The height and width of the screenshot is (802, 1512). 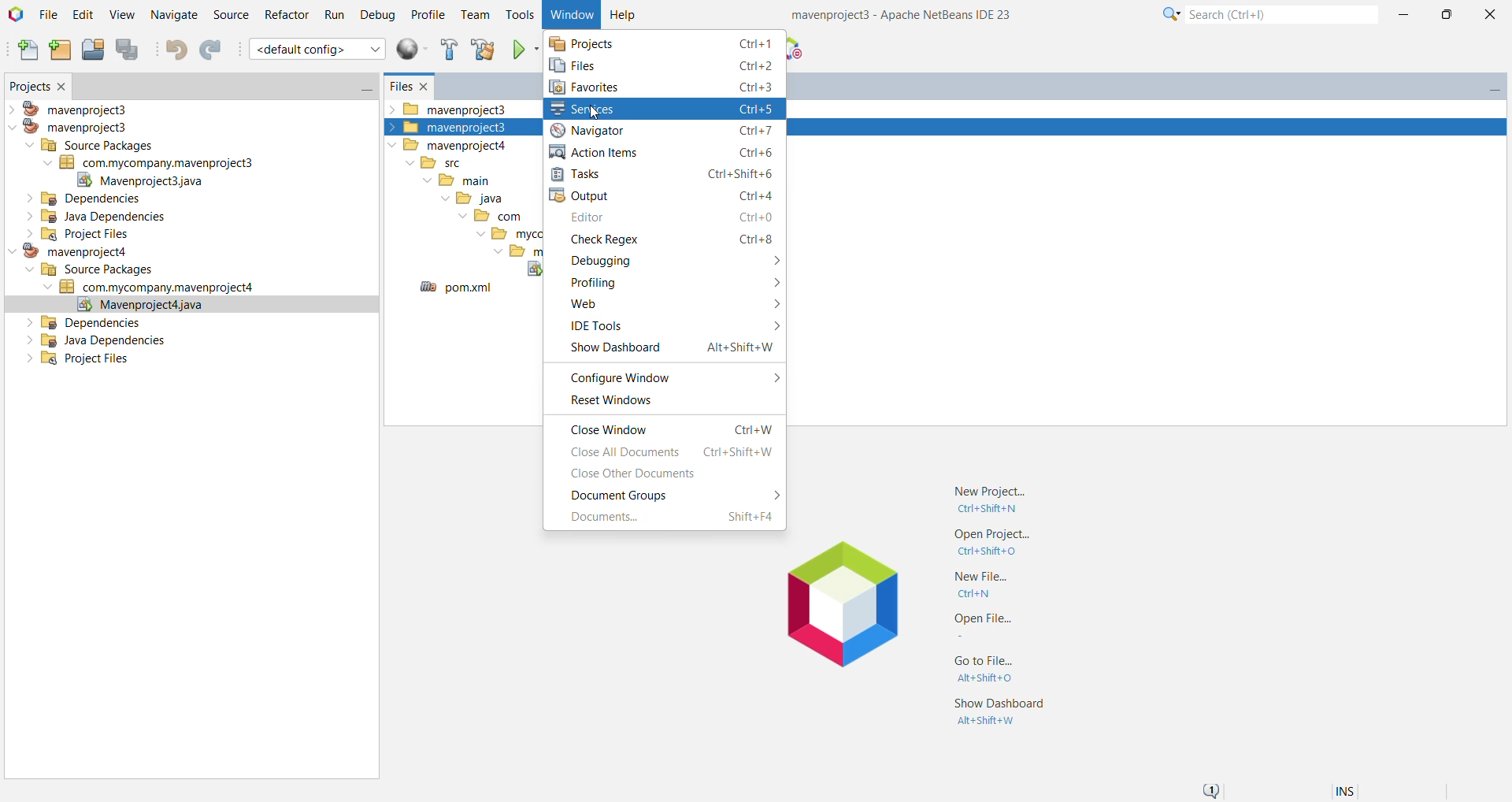 What do you see at coordinates (1405, 16) in the screenshot?
I see `Minimize` at bounding box center [1405, 16].